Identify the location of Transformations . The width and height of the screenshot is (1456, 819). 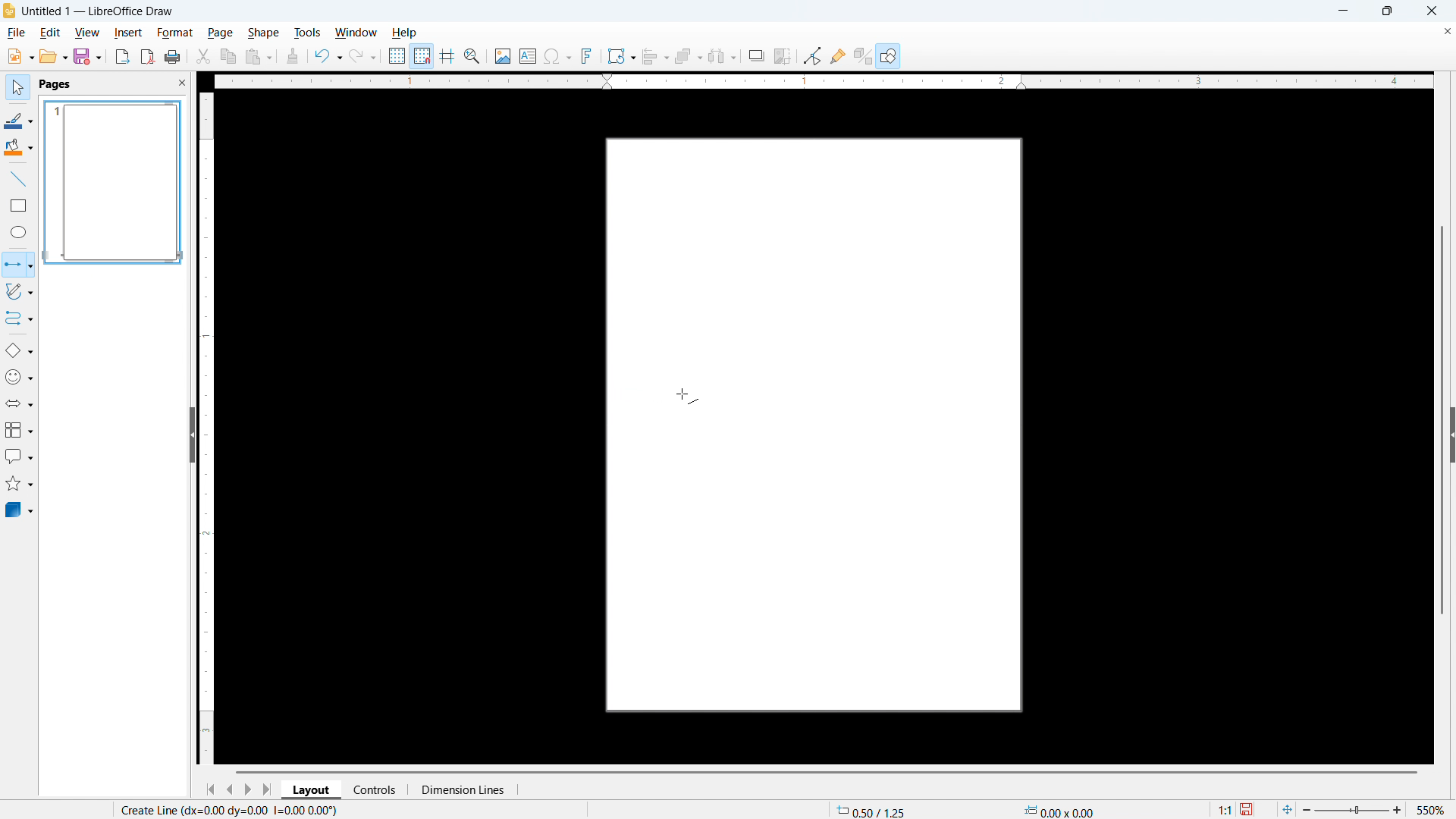
(621, 57).